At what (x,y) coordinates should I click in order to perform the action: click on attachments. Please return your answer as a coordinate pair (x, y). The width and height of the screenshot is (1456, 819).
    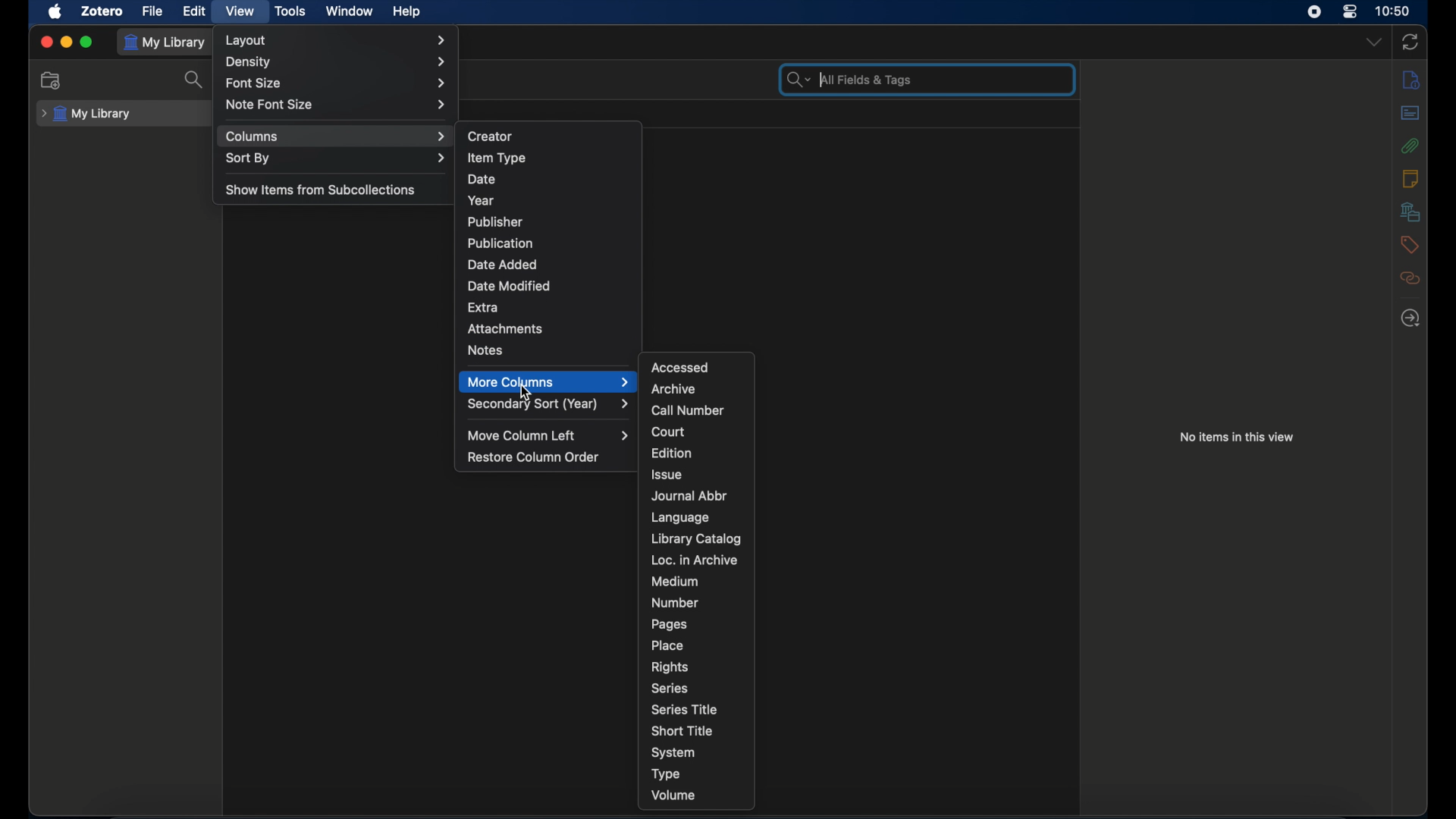
    Looking at the image, I should click on (1410, 146).